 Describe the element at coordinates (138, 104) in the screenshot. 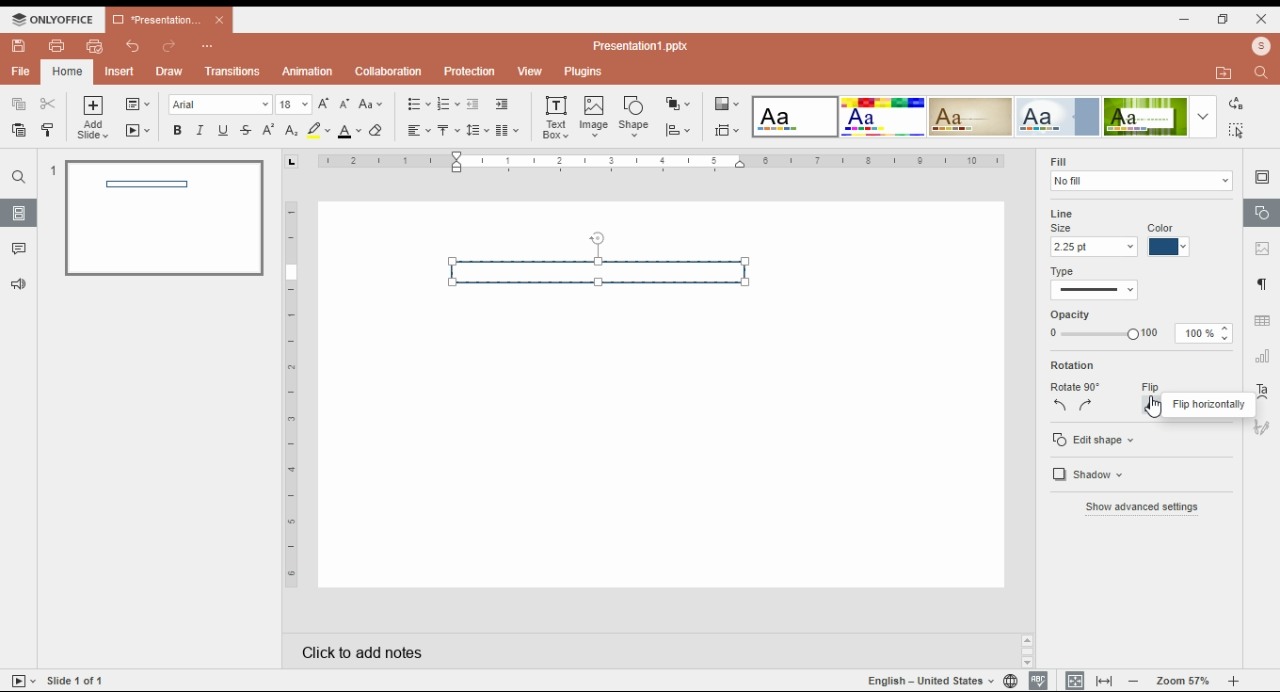

I see `change slide layout` at that location.